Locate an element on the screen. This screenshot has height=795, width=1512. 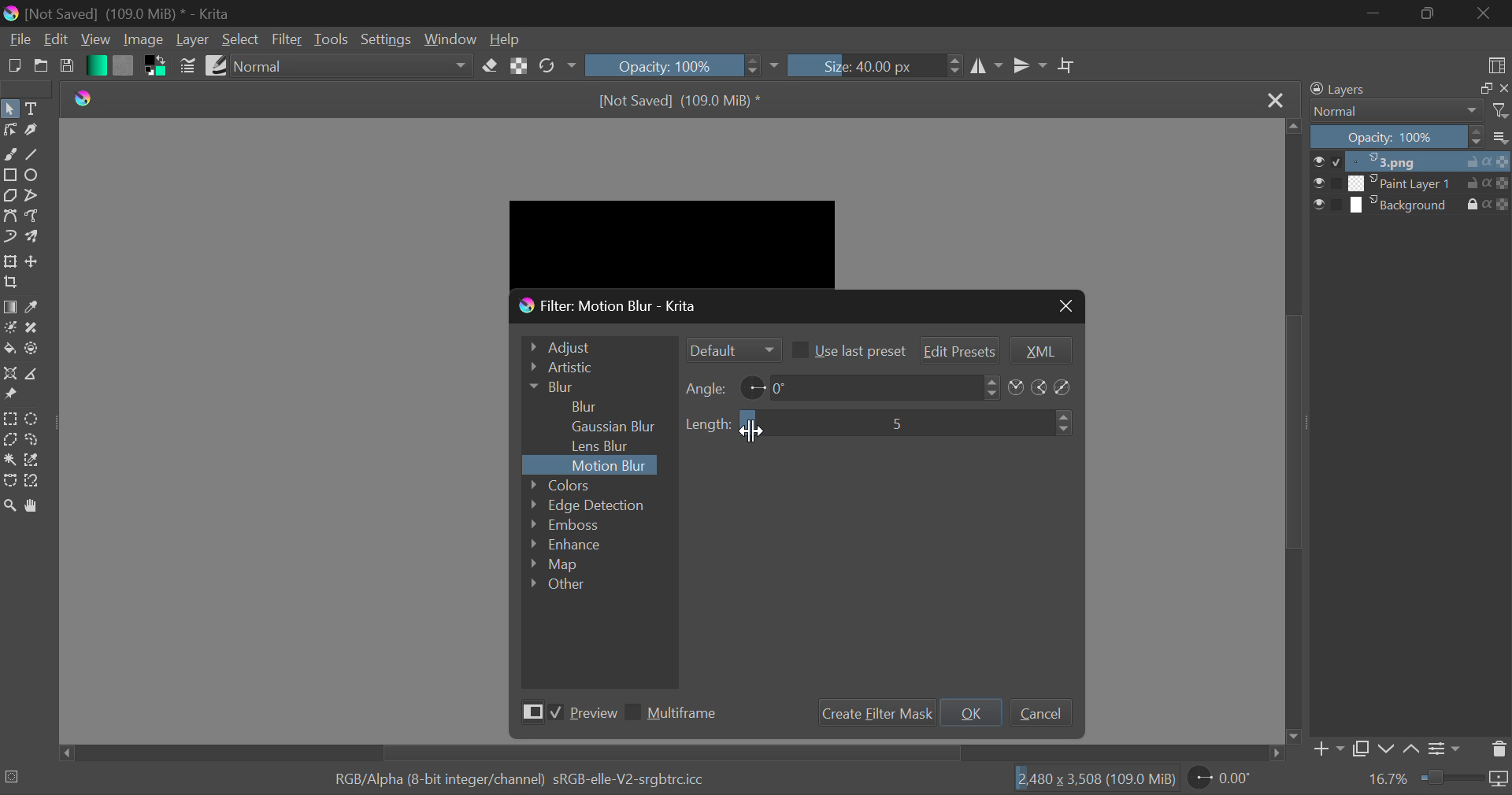
Dynamic Brush is located at coordinates (9, 238).